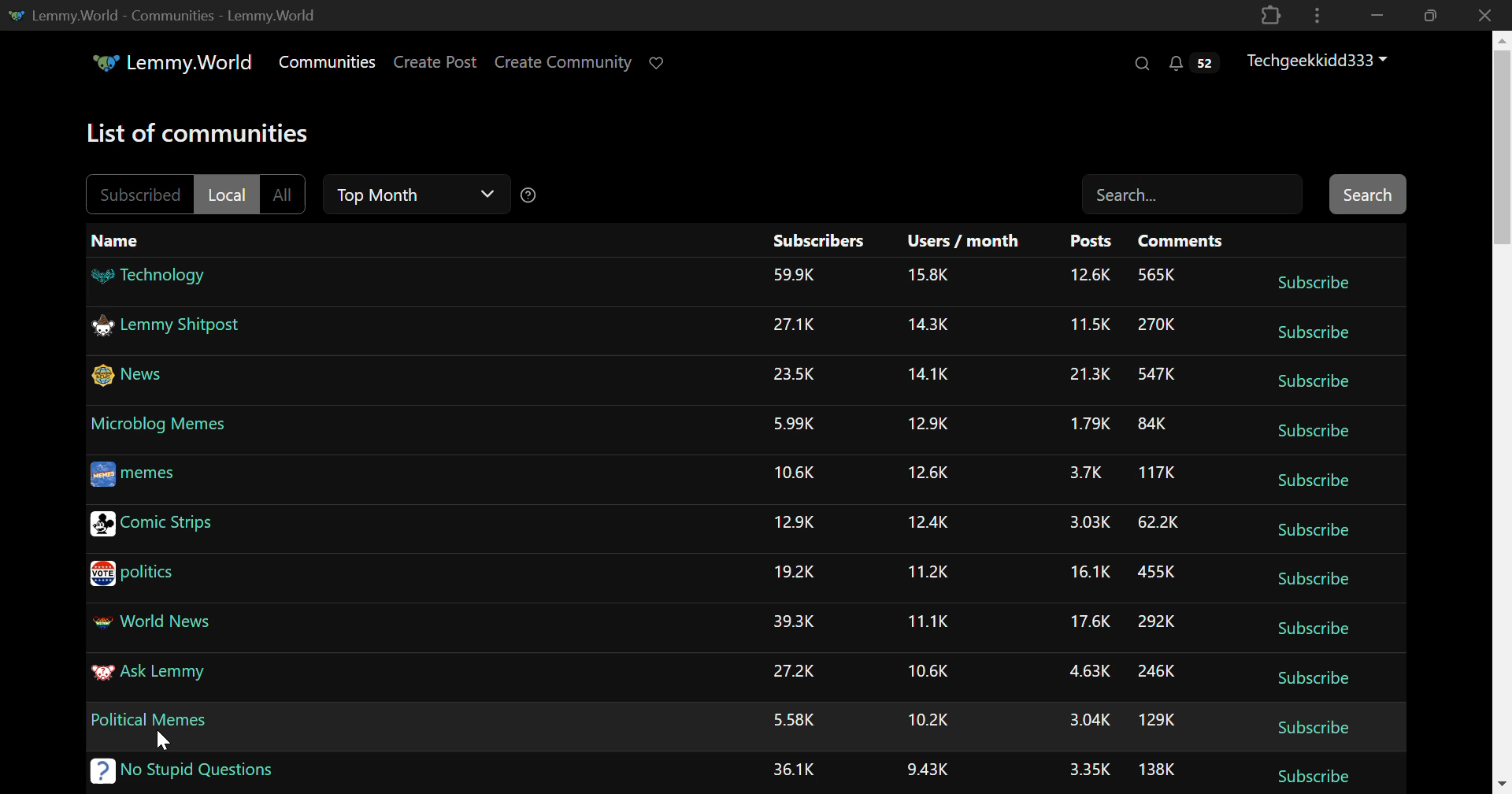 The height and width of the screenshot is (794, 1512). I want to click on Donate to Lemmy, so click(660, 61).